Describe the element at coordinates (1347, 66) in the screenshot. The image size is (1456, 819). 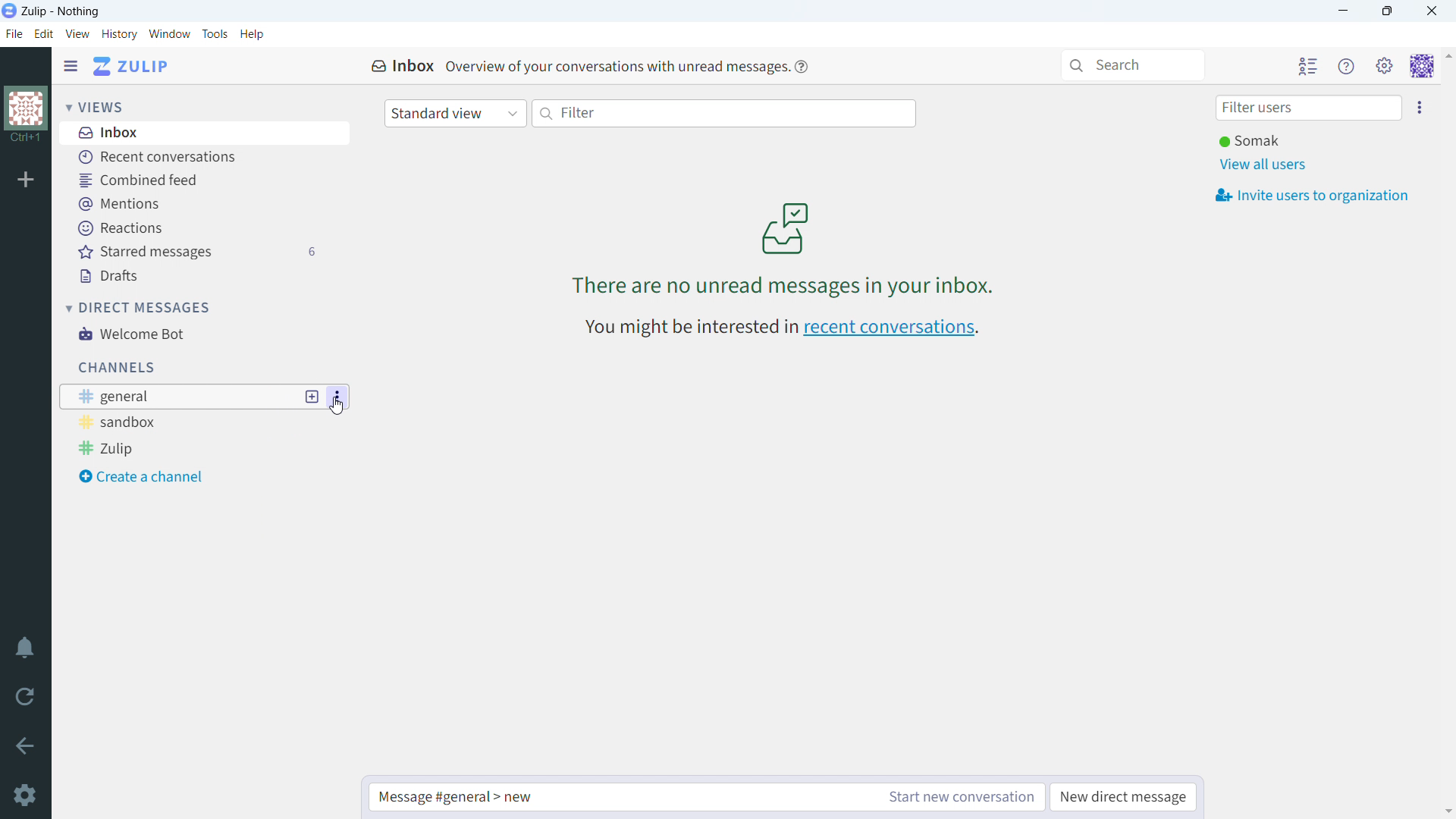
I see `helpn menu` at that location.